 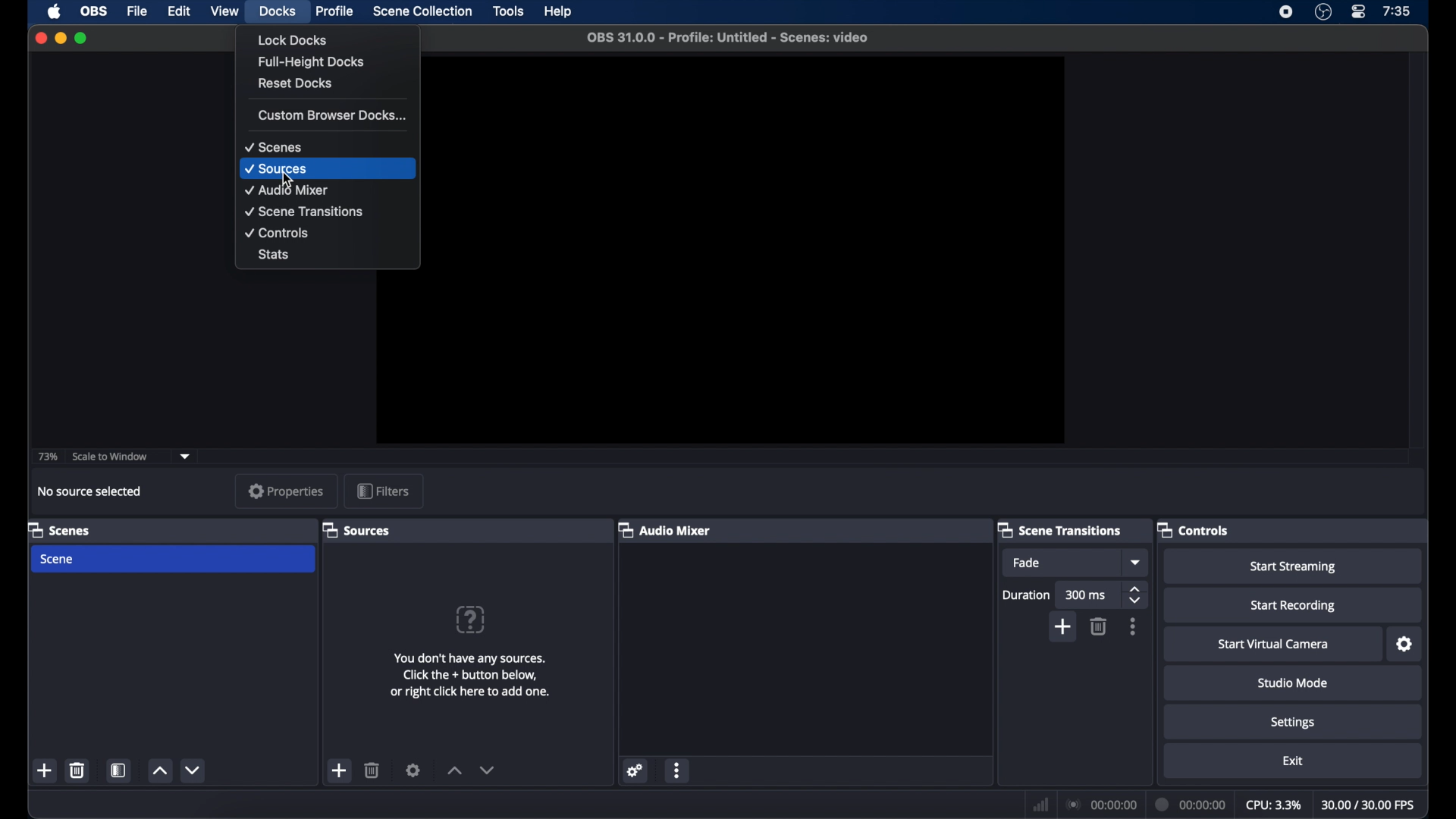 What do you see at coordinates (333, 10) in the screenshot?
I see `profile` at bounding box center [333, 10].